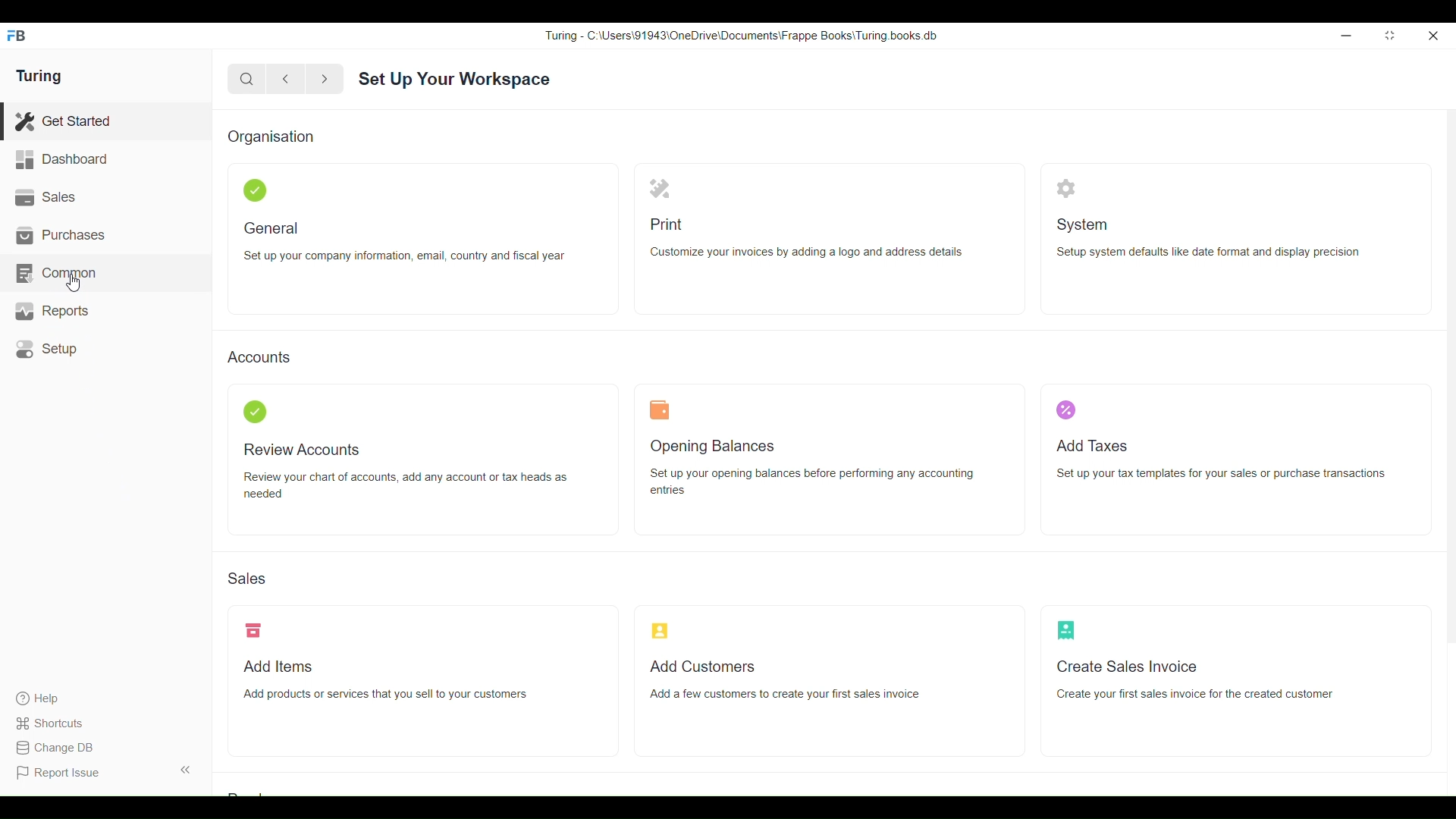  I want to click on Review Accounts Review your chart of accounts, add any account or tax heads as needed, so click(404, 472).